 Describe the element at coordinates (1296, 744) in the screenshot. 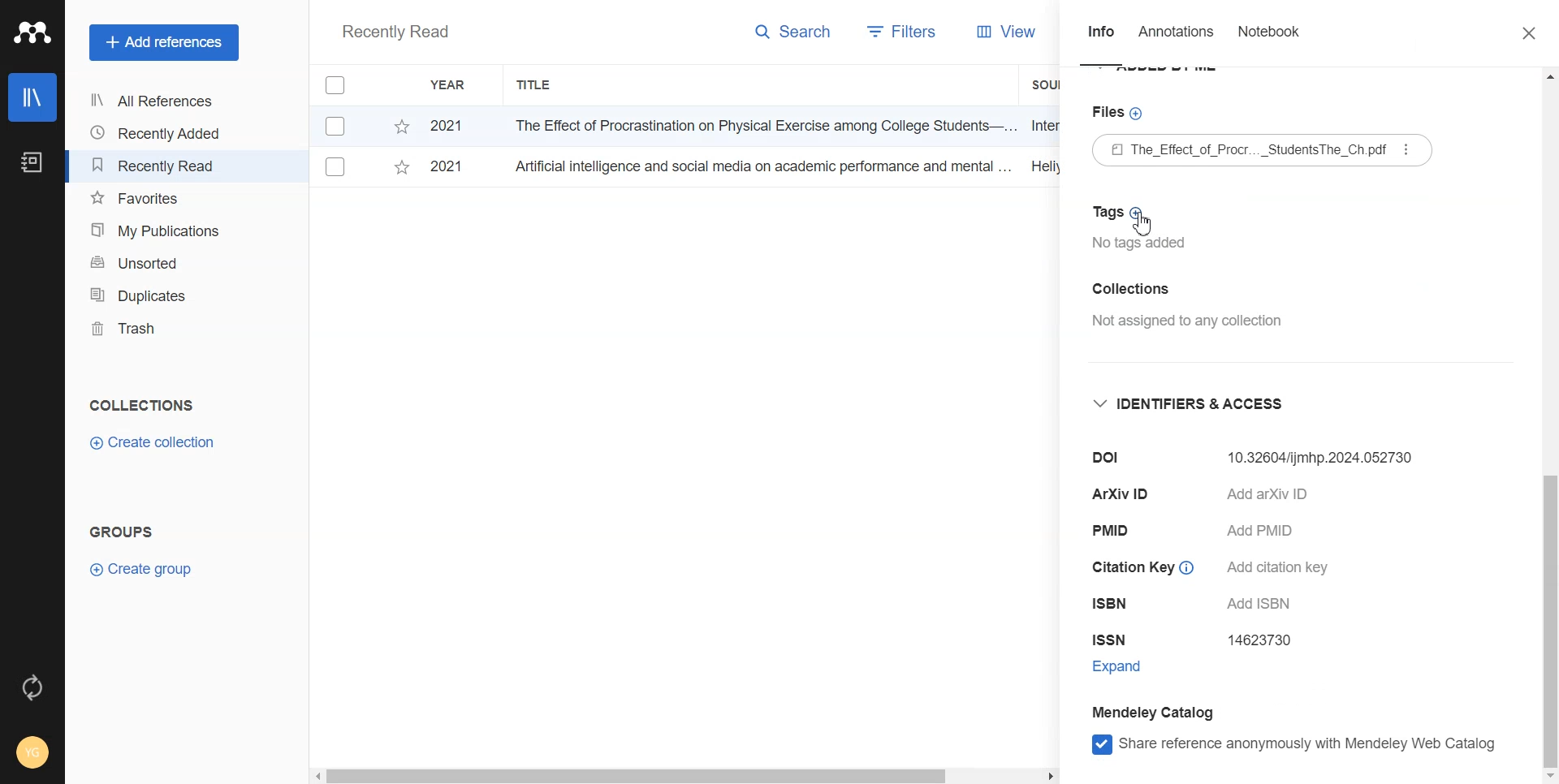

I see `Share reference anonymously with Mendeley web catalog` at that location.